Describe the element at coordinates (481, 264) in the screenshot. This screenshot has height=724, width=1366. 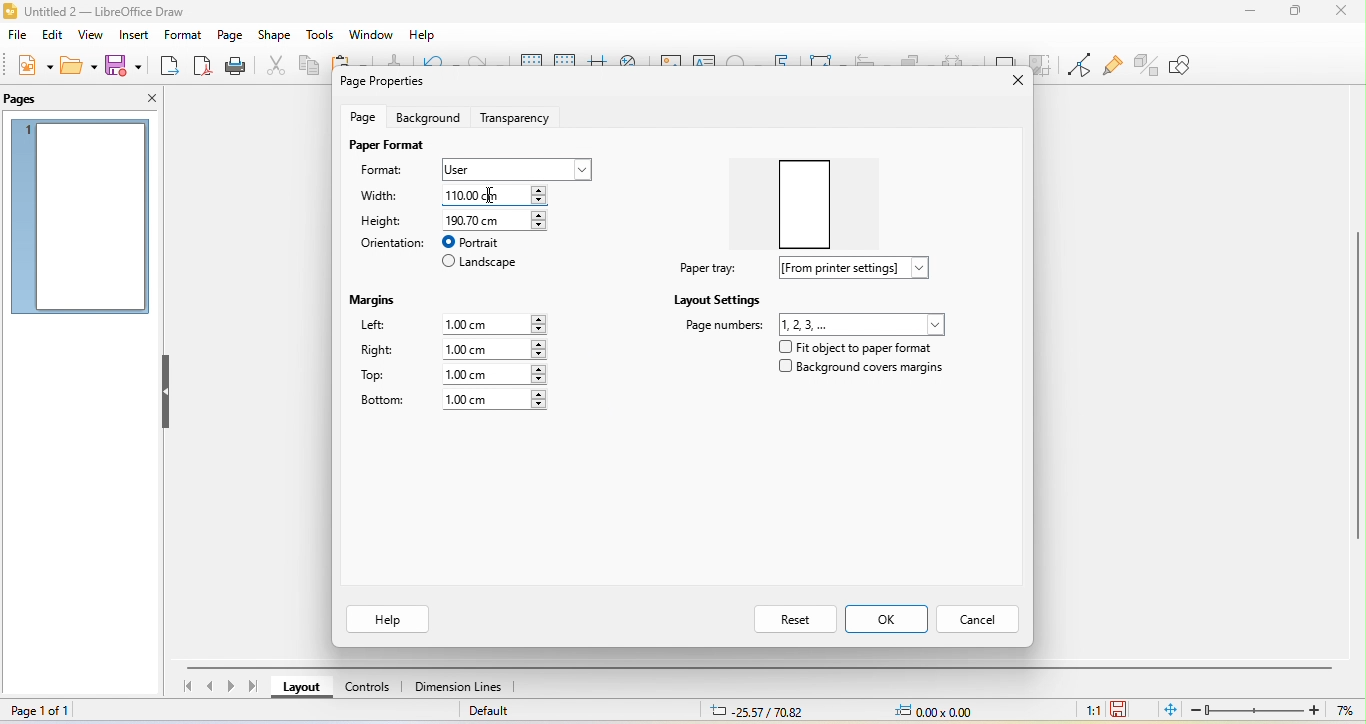
I see `landscape` at that location.